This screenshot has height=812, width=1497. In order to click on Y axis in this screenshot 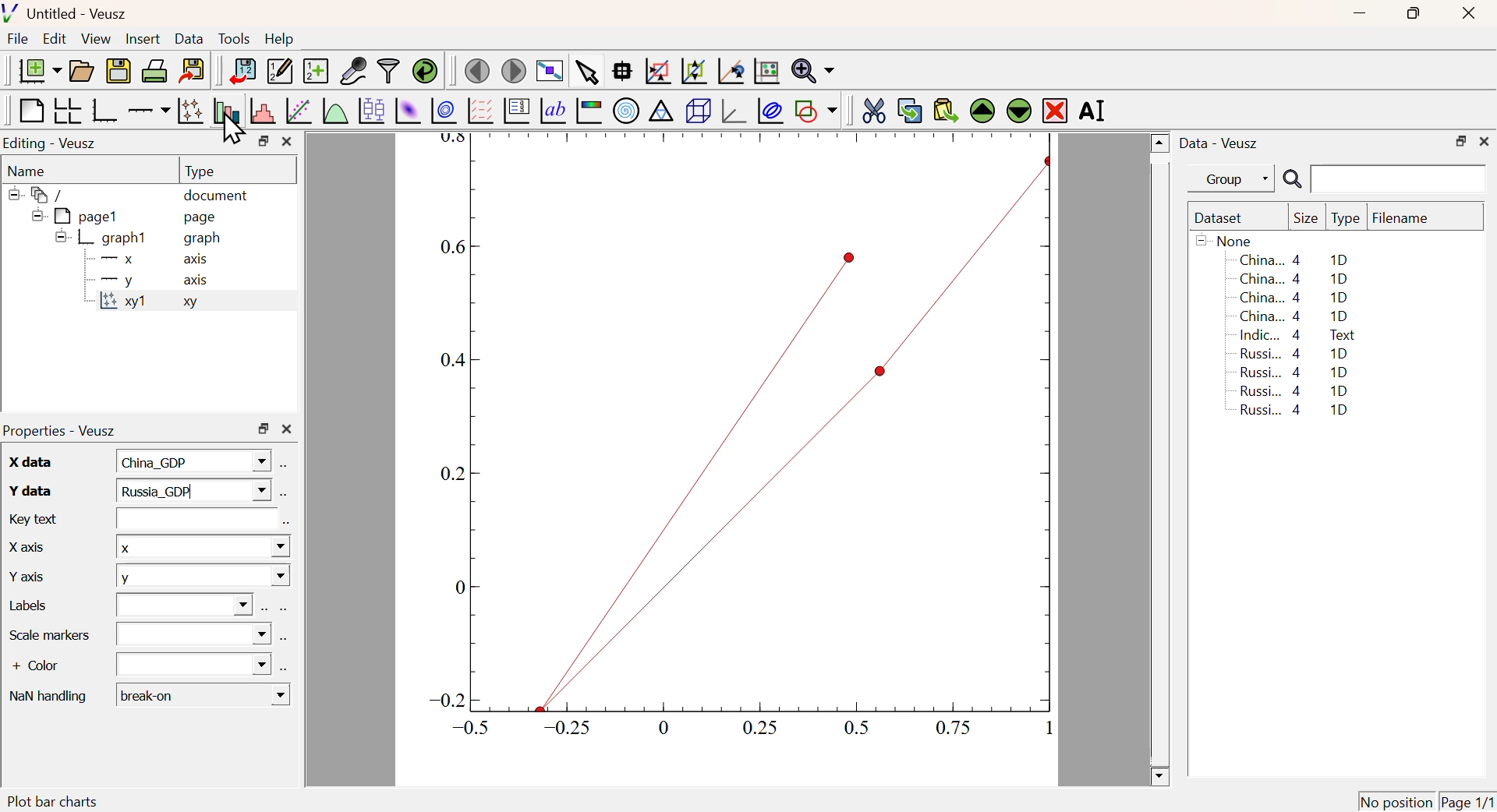, I will do `click(30, 574)`.